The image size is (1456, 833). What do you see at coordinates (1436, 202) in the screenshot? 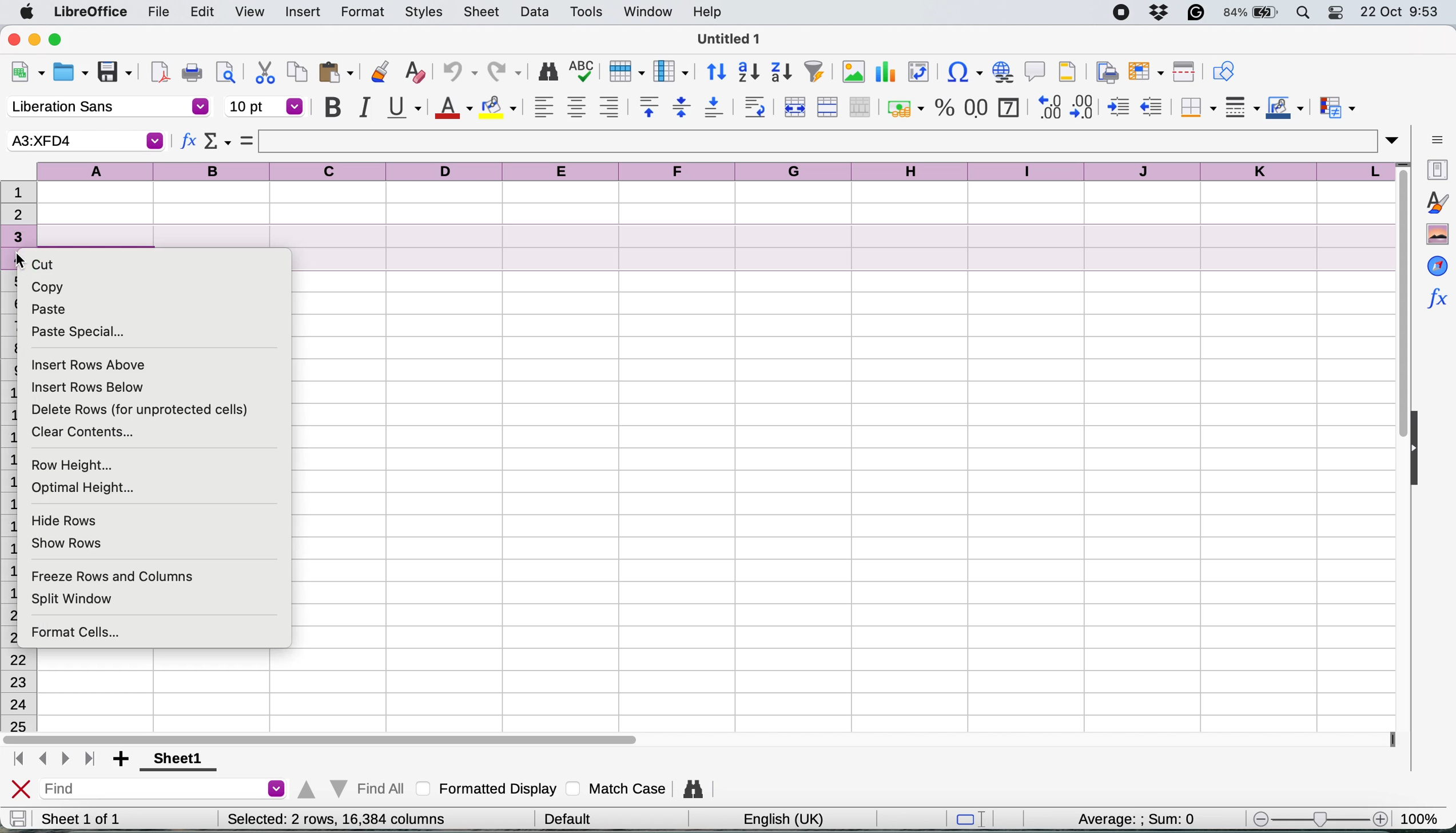
I see `styles` at bounding box center [1436, 202].